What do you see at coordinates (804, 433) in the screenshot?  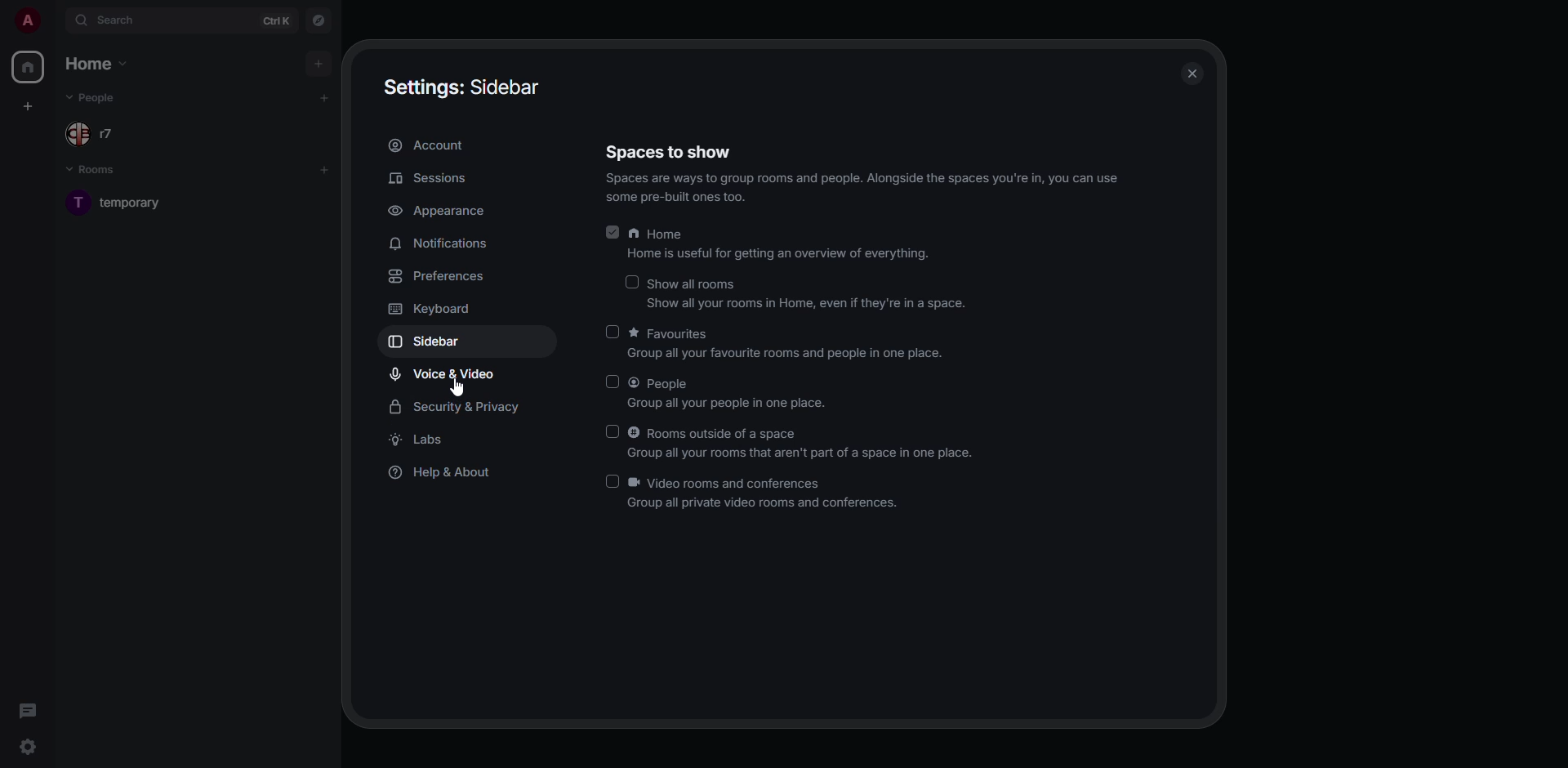 I see `rooms outside of a space` at bounding box center [804, 433].